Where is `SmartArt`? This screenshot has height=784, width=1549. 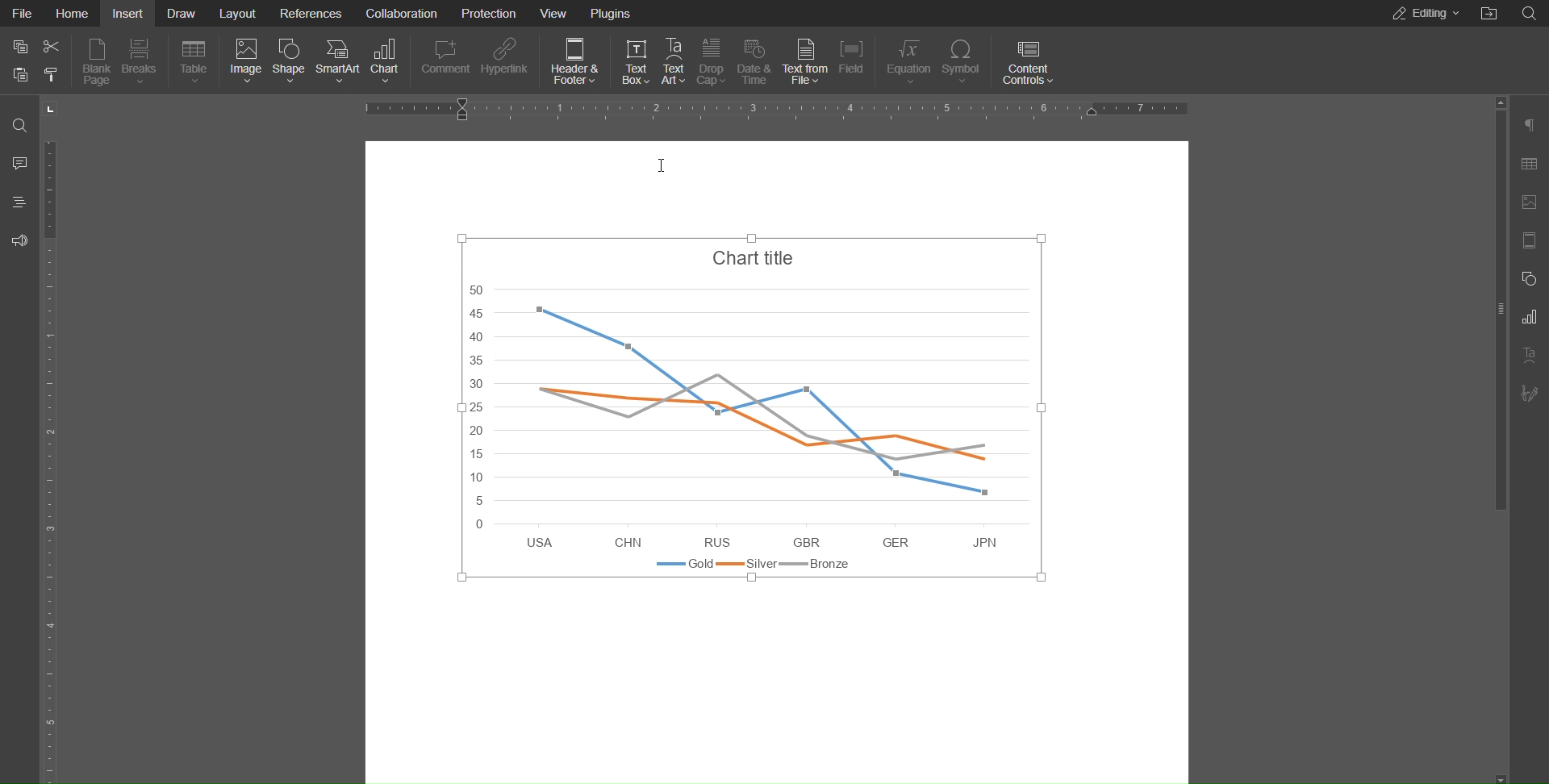
SmartArt is located at coordinates (336, 64).